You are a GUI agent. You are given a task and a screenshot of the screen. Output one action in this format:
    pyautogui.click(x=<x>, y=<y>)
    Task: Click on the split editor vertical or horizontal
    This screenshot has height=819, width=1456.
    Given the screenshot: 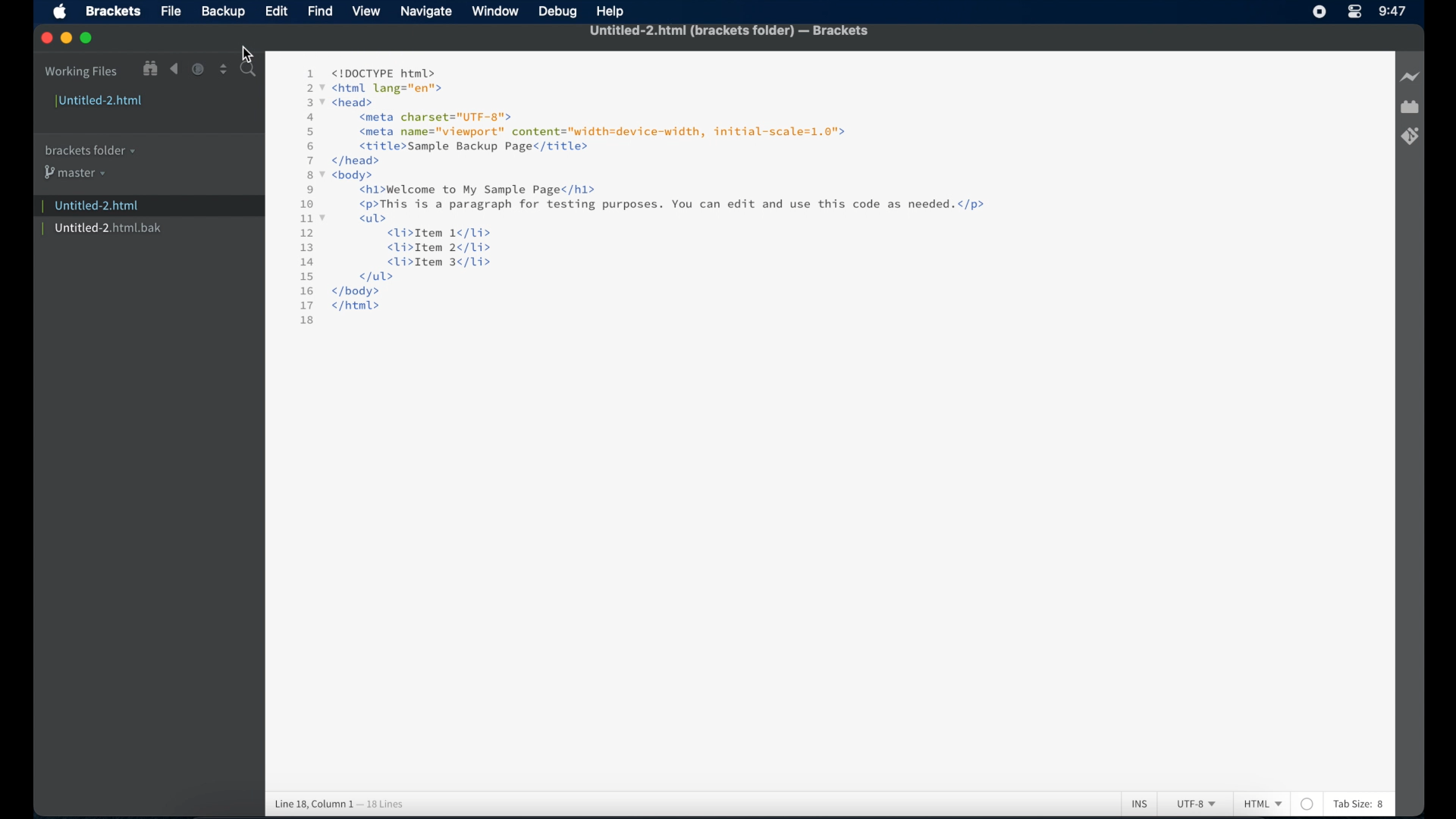 What is the action you would take?
    pyautogui.click(x=224, y=69)
    